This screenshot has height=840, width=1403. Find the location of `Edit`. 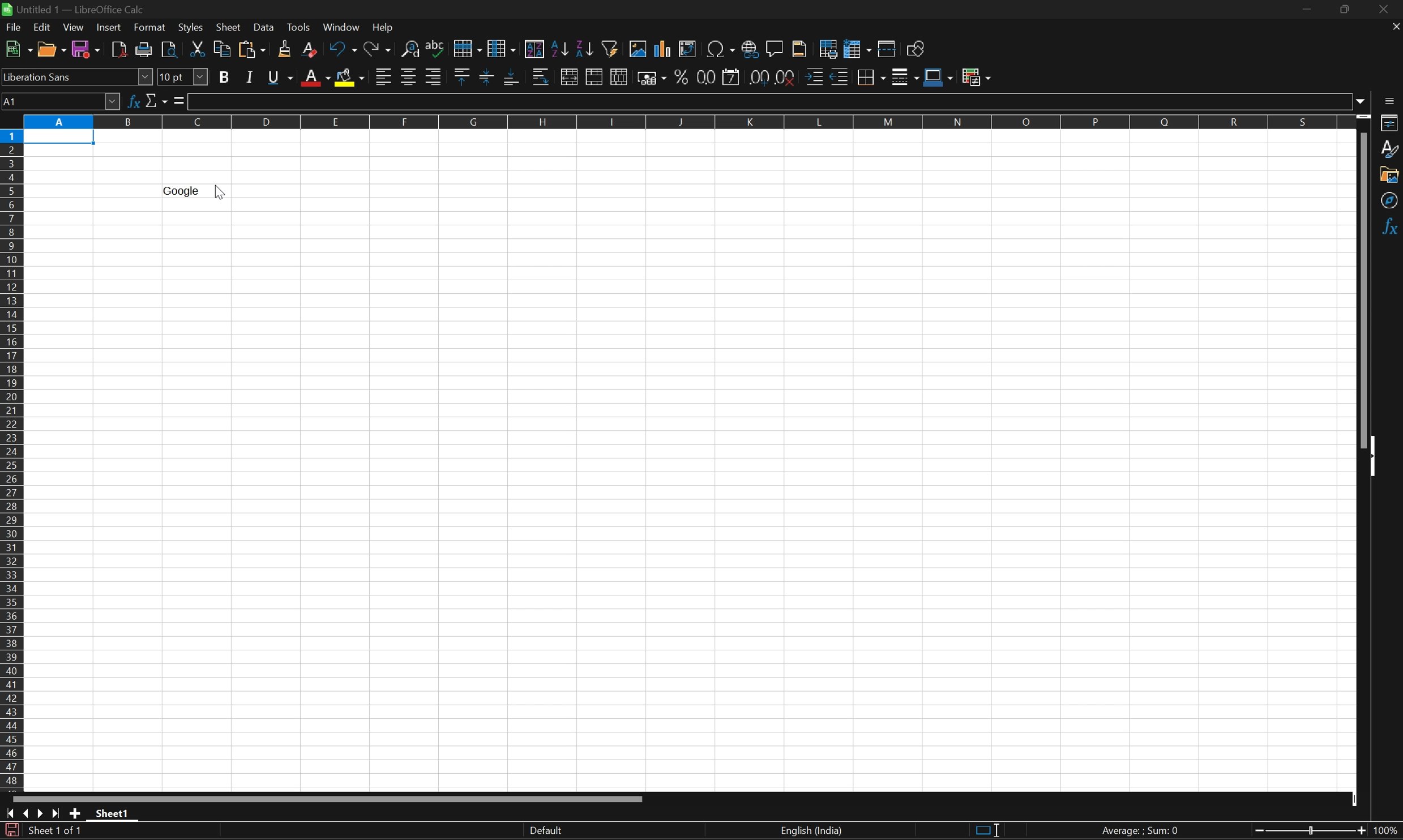

Edit is located at coordinates (45, 28).